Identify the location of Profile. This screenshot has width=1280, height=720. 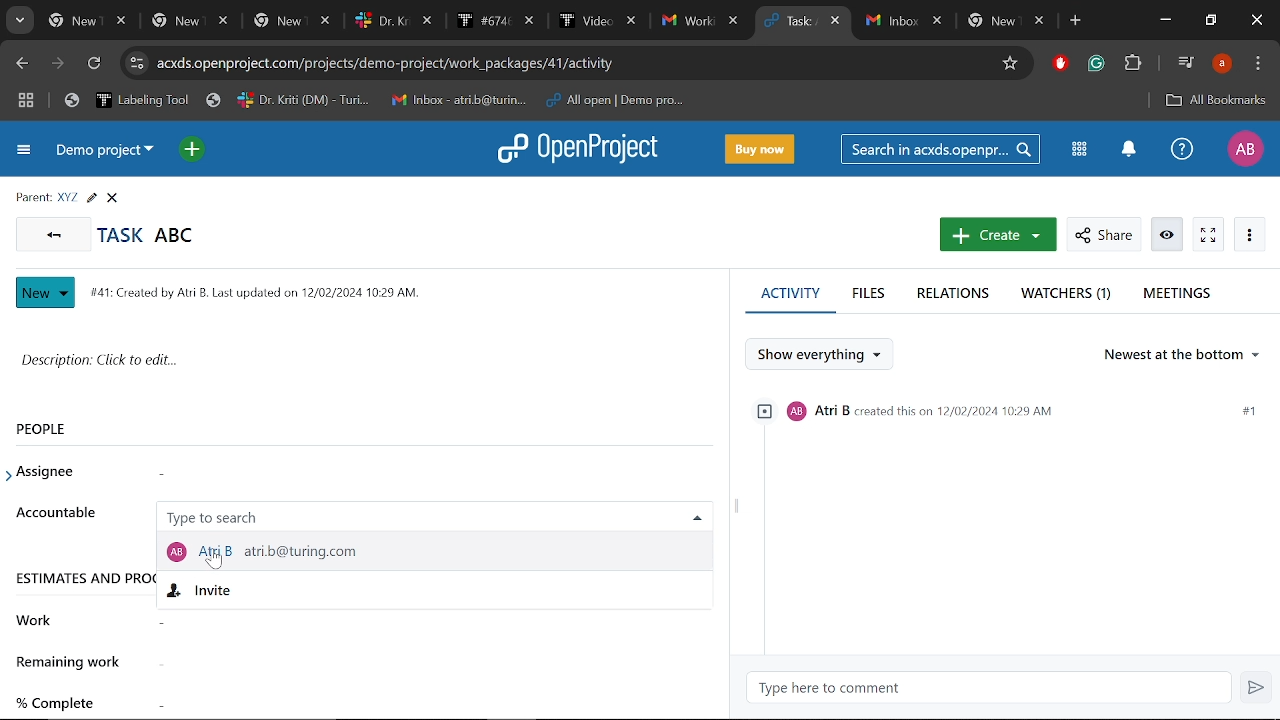
(1221, 65).